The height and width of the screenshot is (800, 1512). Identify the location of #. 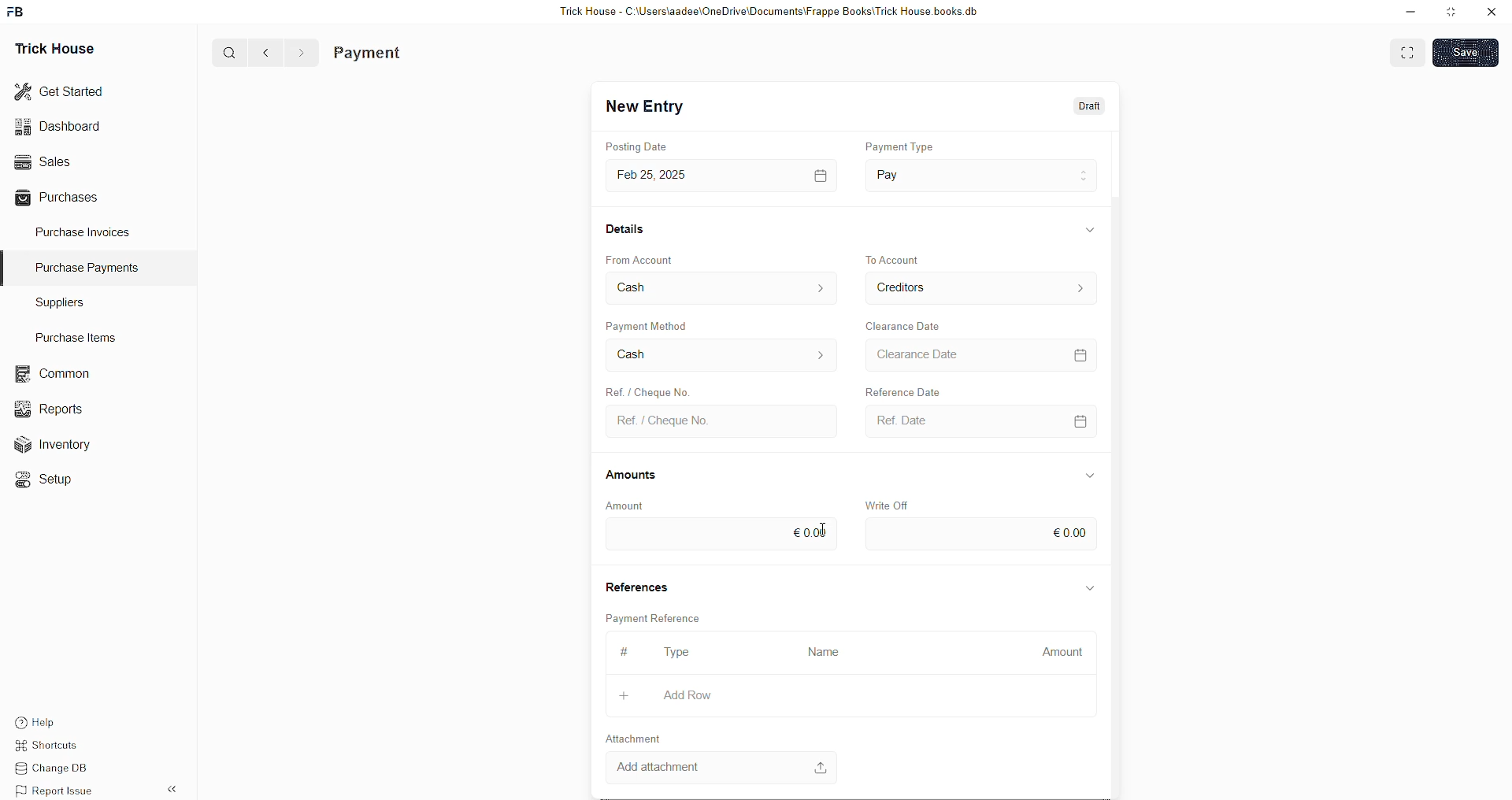
(617, 652).